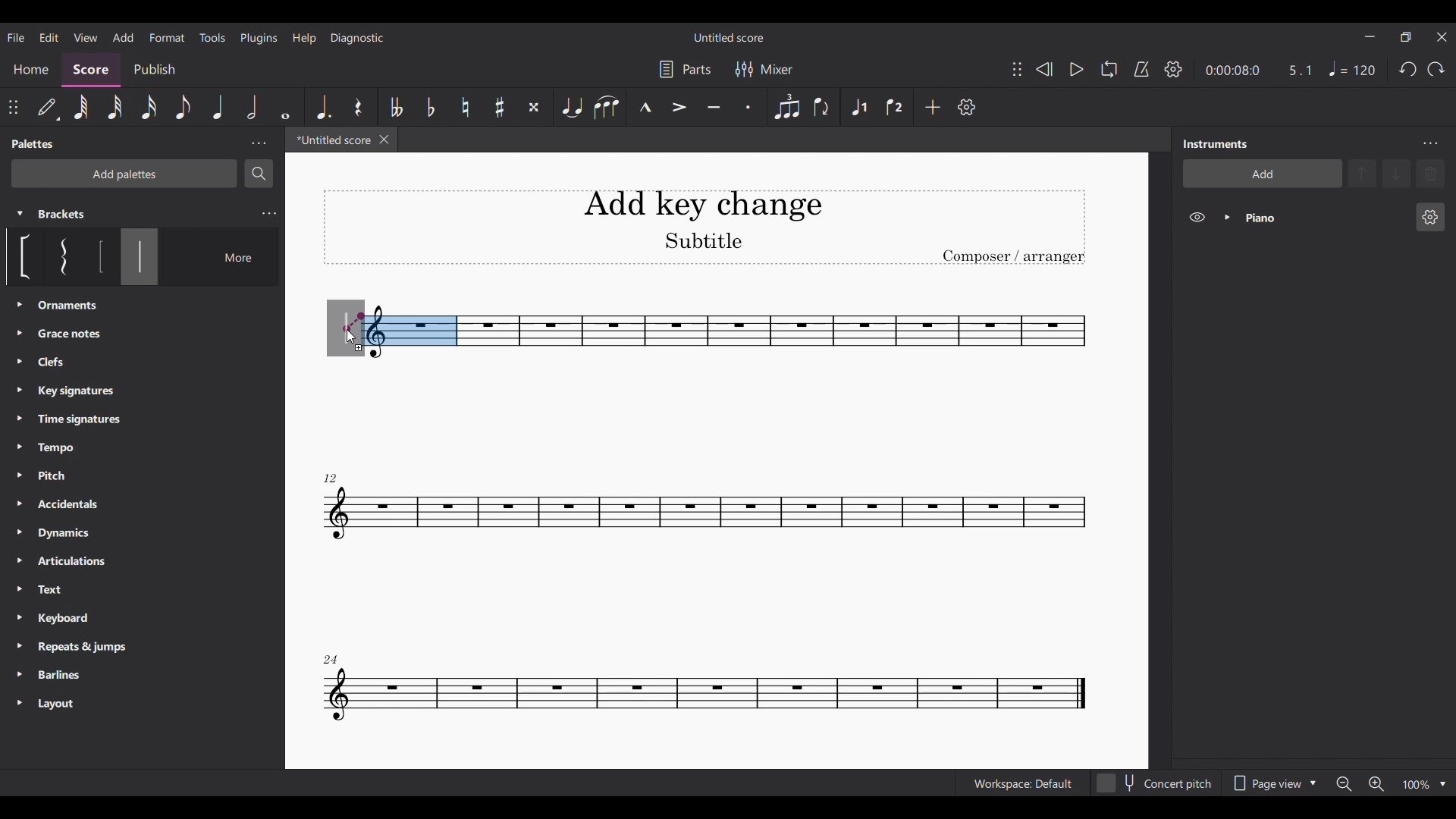  Describe the element at coordinates (1197, 217) in the screenshot. I see `Show/Hide instrument` at that location.